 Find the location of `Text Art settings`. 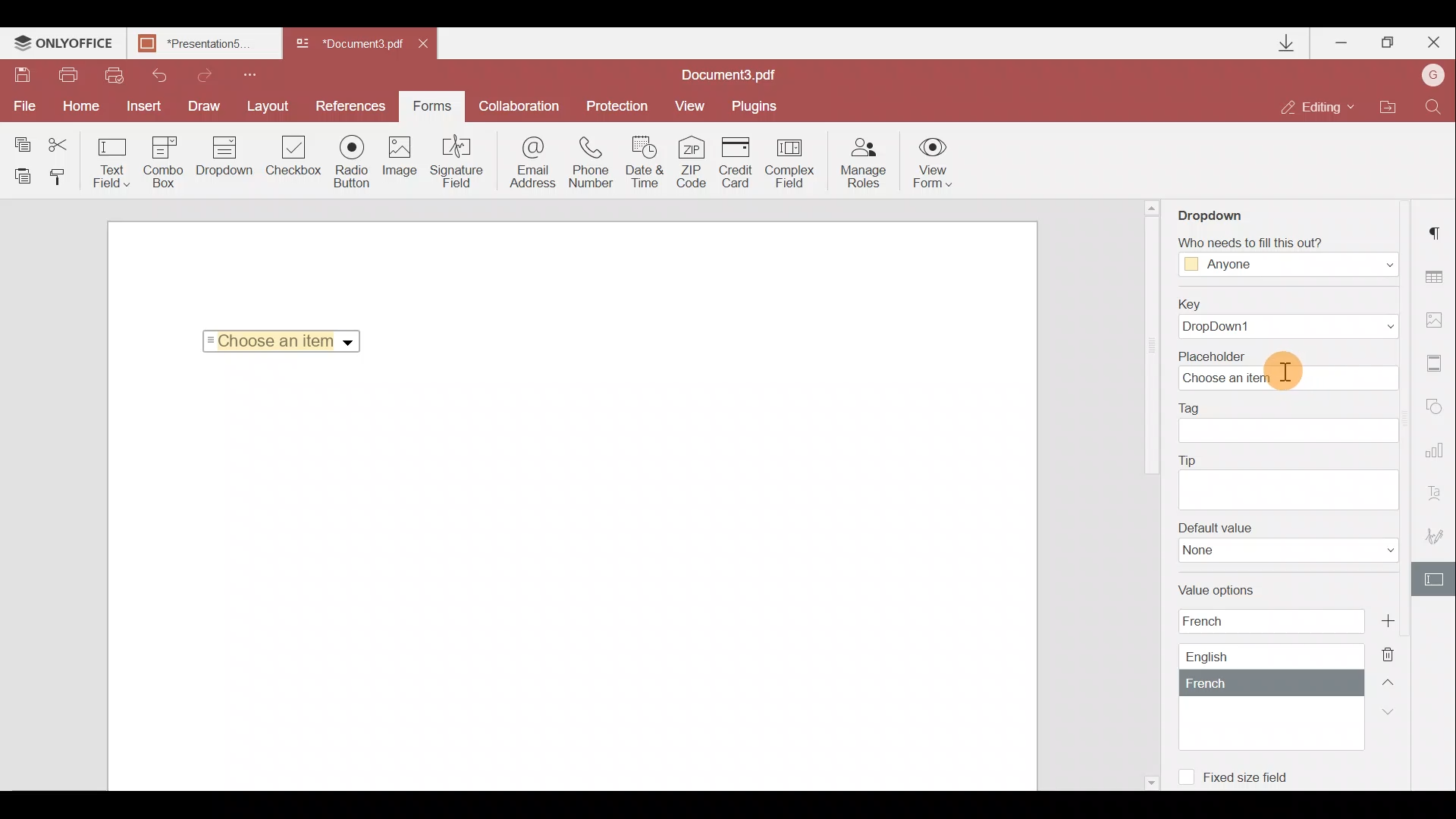

Text Art settings is located at coordinates (1439, 497).